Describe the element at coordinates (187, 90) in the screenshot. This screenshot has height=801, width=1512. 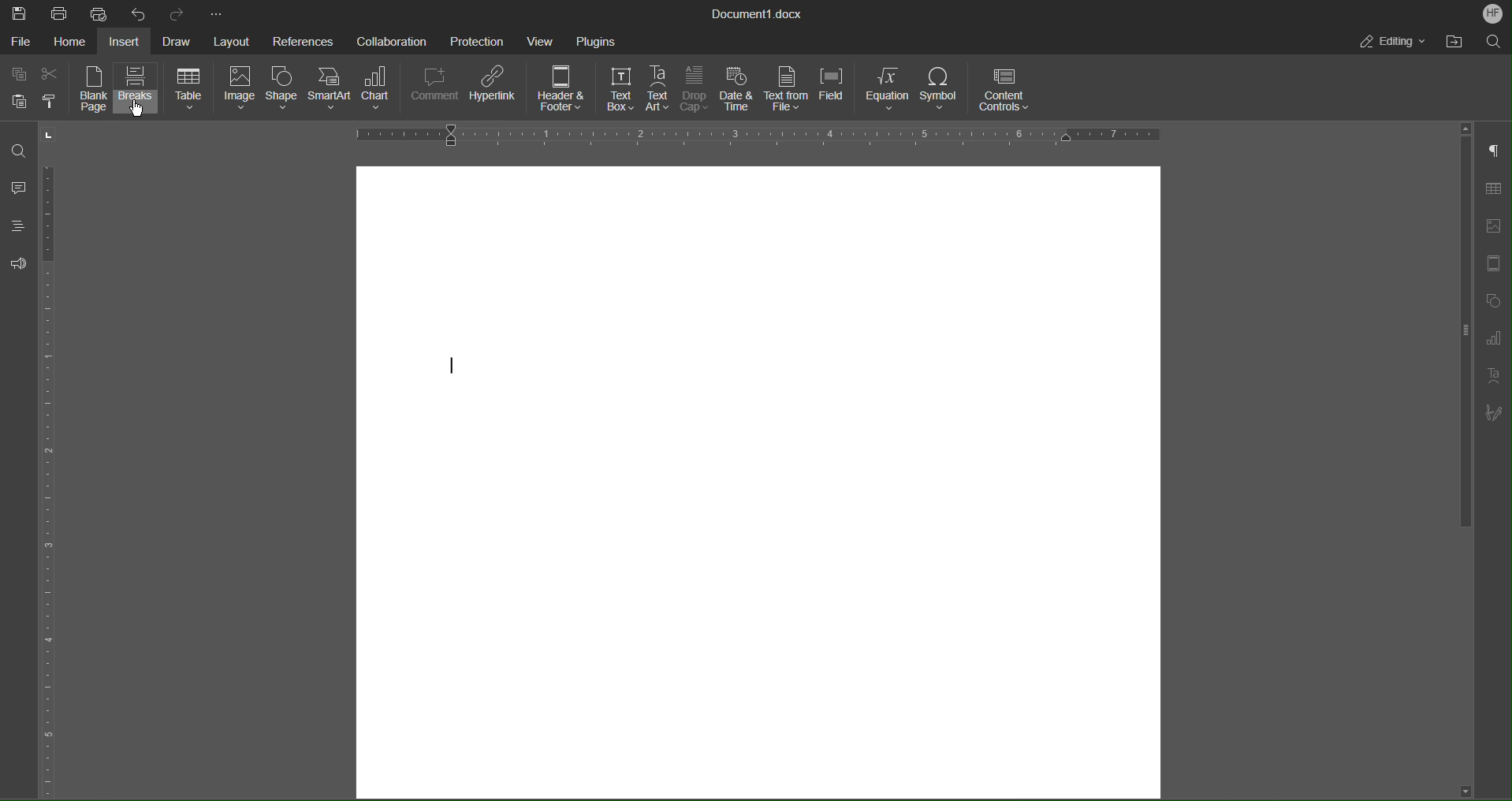
I see `Table` at that location.